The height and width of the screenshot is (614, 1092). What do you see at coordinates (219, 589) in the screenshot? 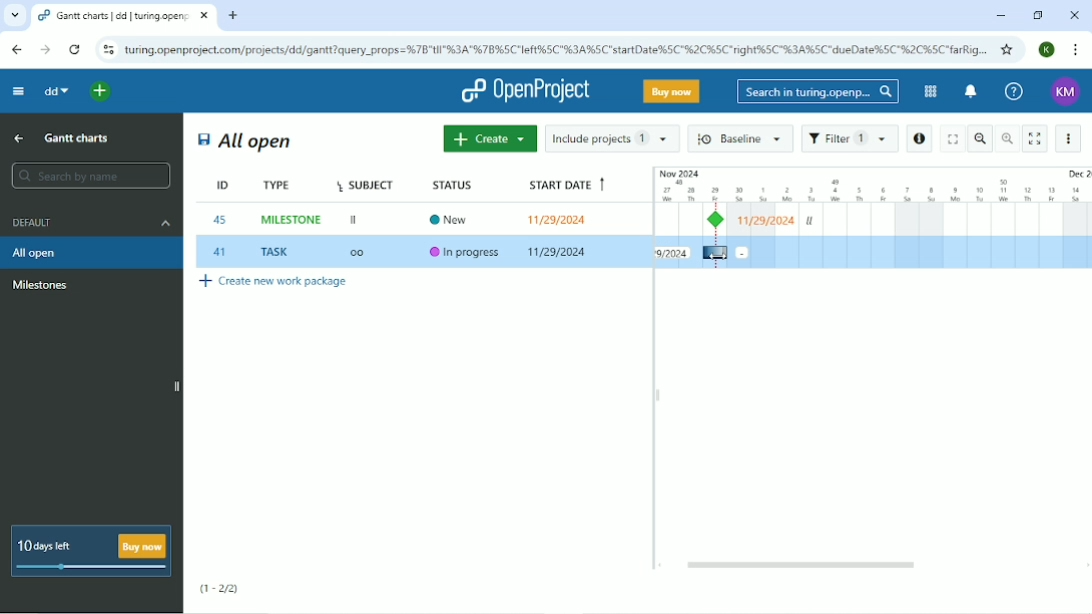
I see `(1-2/2)` at bounding box center [219, 589].